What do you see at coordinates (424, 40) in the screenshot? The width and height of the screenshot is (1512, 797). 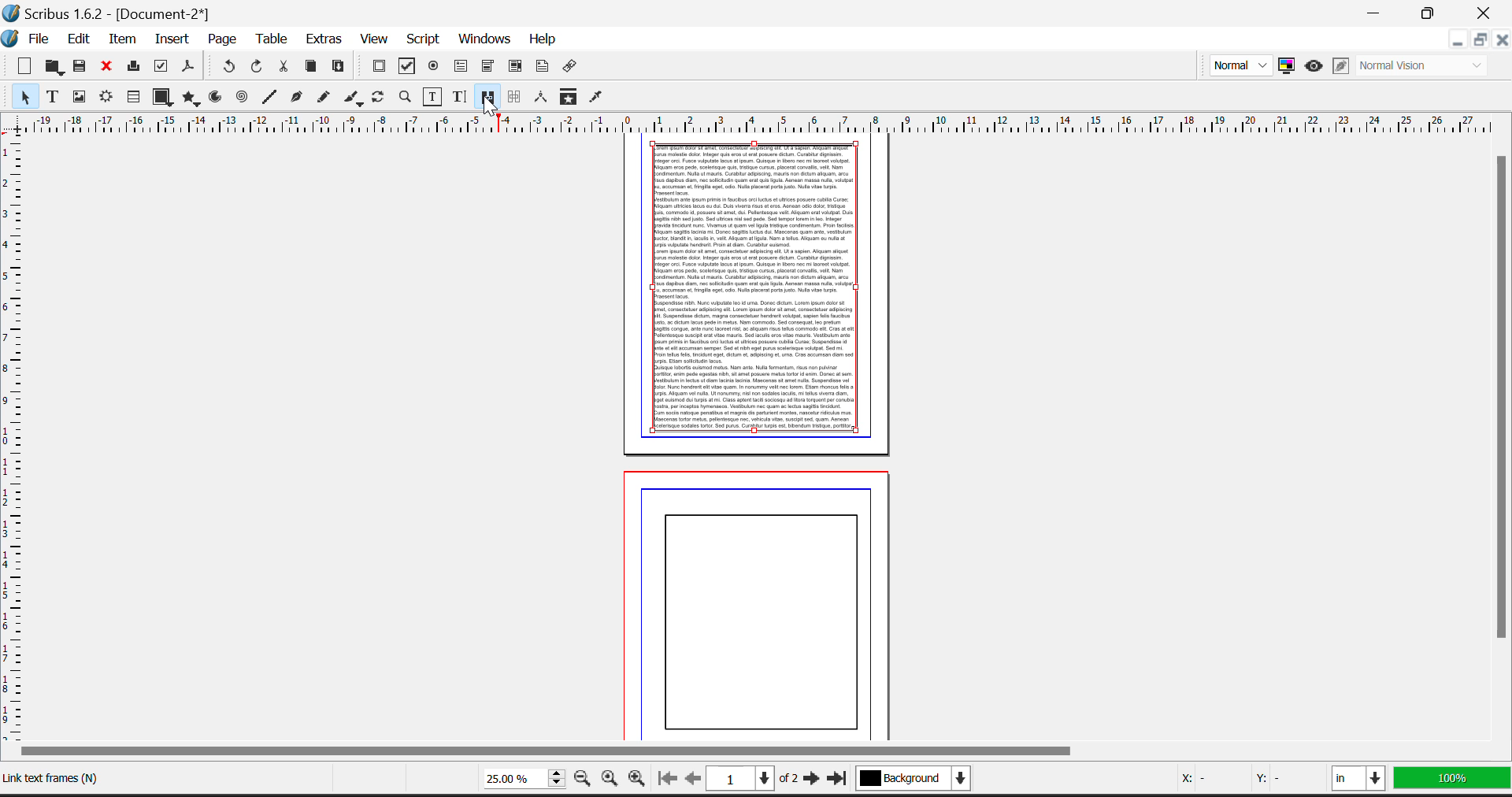 I see `Script` at bounding box center [424, 40].